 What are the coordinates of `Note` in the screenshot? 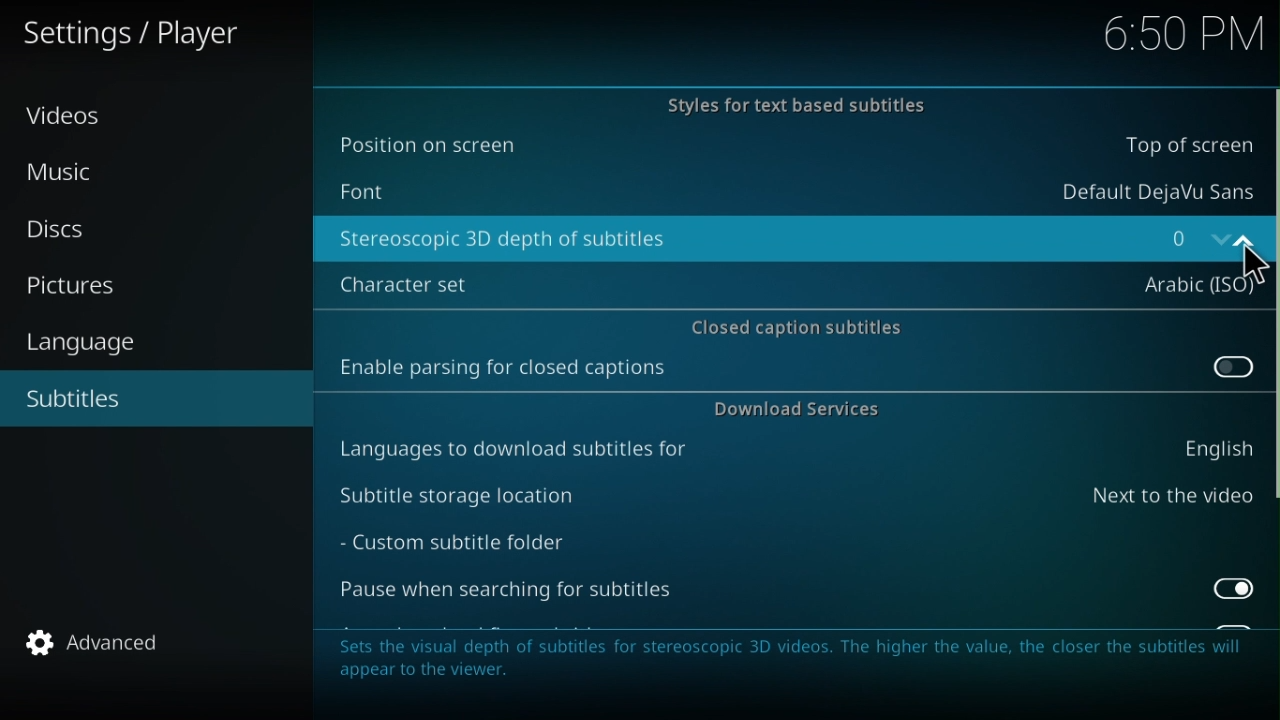 It's located at (795, 667).